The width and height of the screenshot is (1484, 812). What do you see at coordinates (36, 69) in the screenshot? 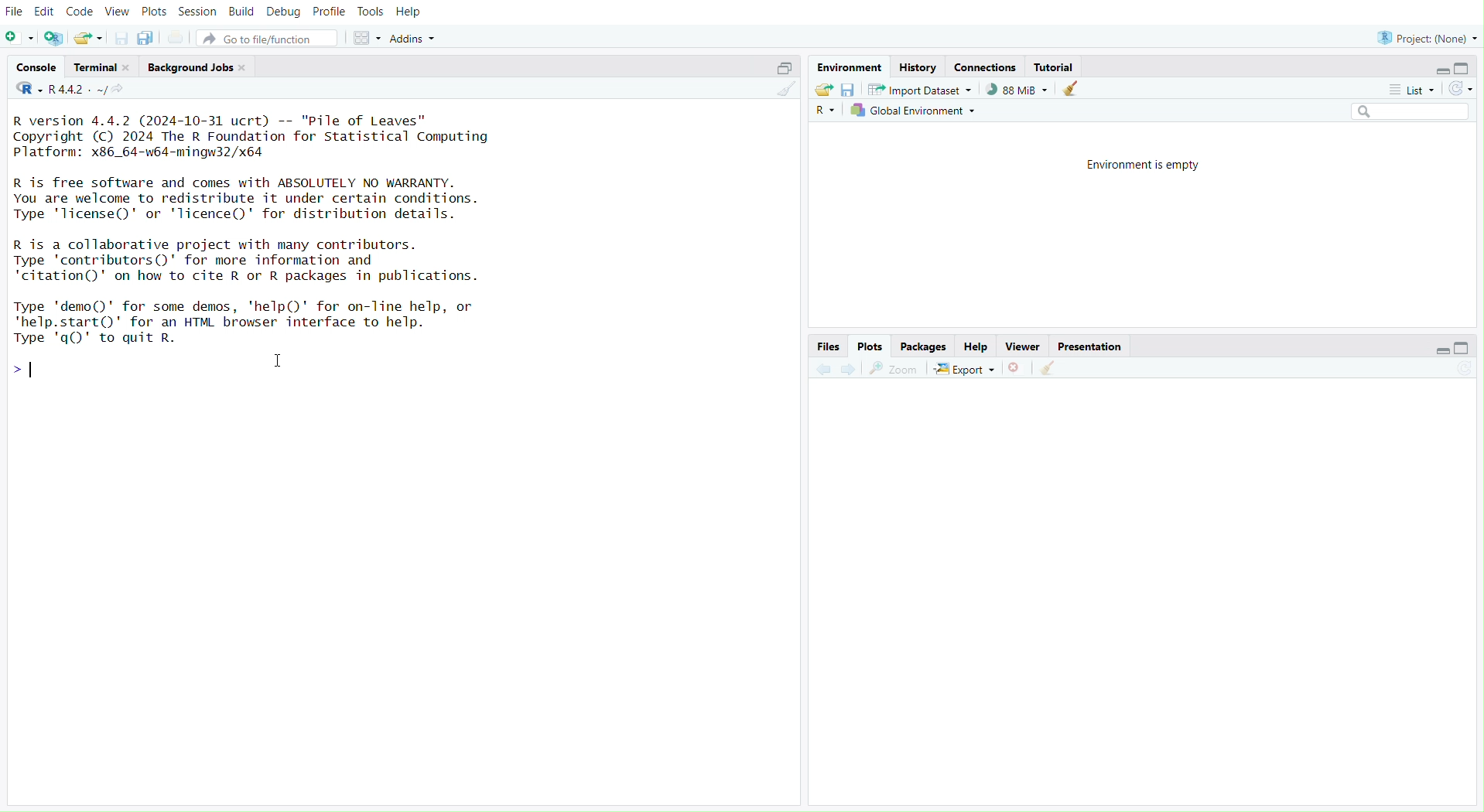
I see `Console` at bounding box center [36, 69].